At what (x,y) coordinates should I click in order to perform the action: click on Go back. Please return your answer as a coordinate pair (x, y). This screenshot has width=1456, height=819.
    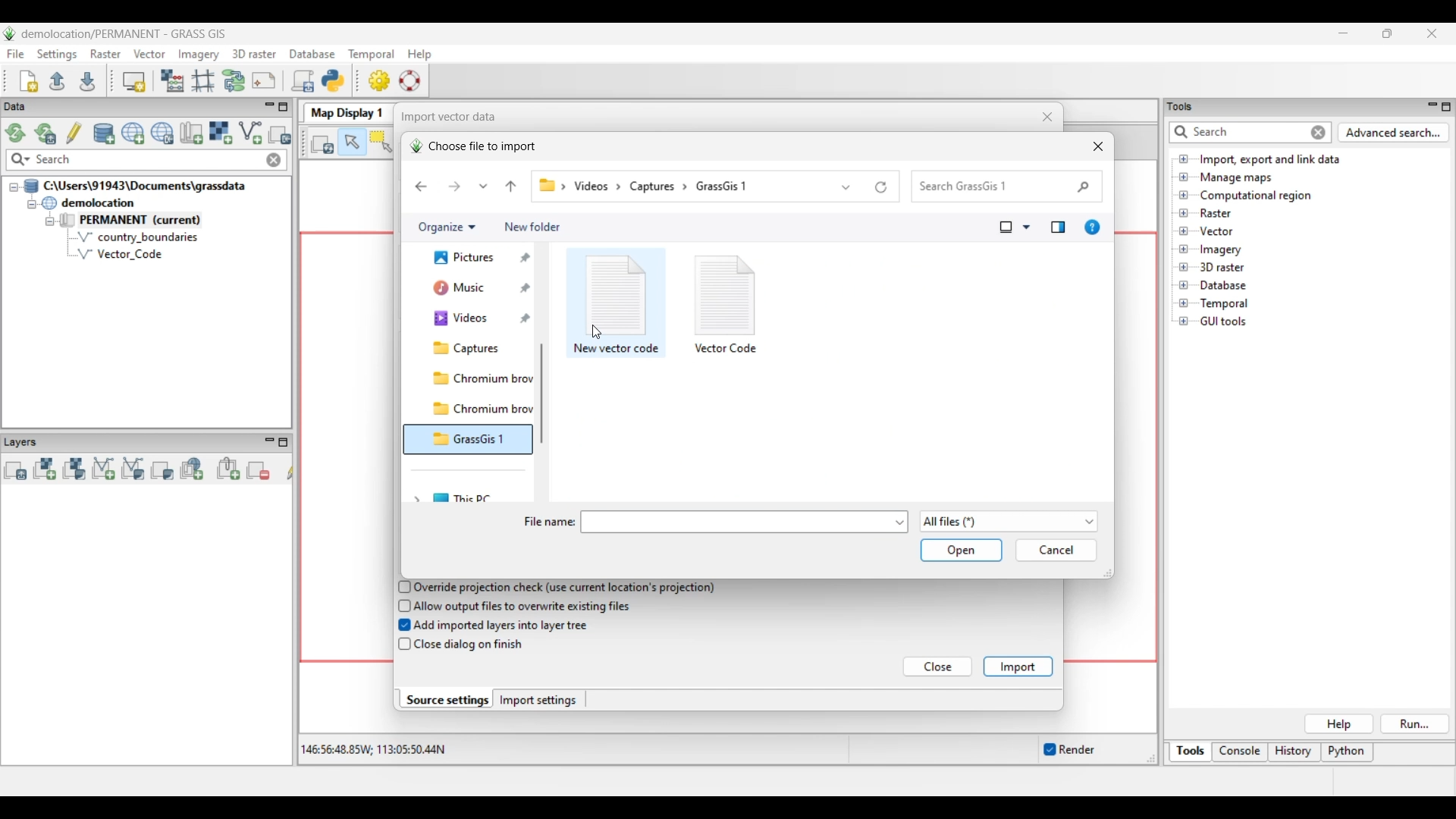
    Looking at the image, I should click on (421, 187).